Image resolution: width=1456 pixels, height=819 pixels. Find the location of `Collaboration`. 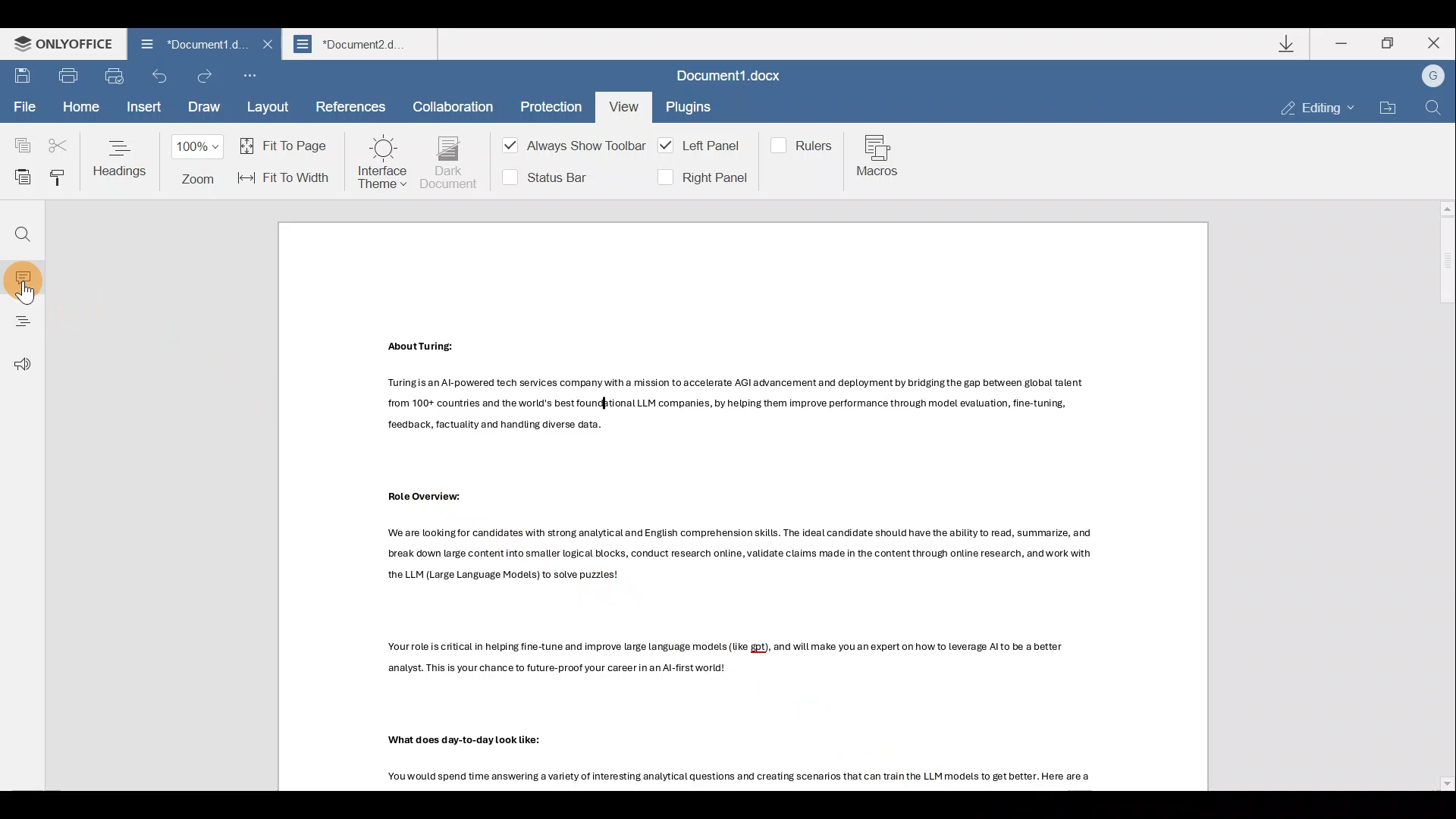

Collaboration is located at coordinates (453, 105).